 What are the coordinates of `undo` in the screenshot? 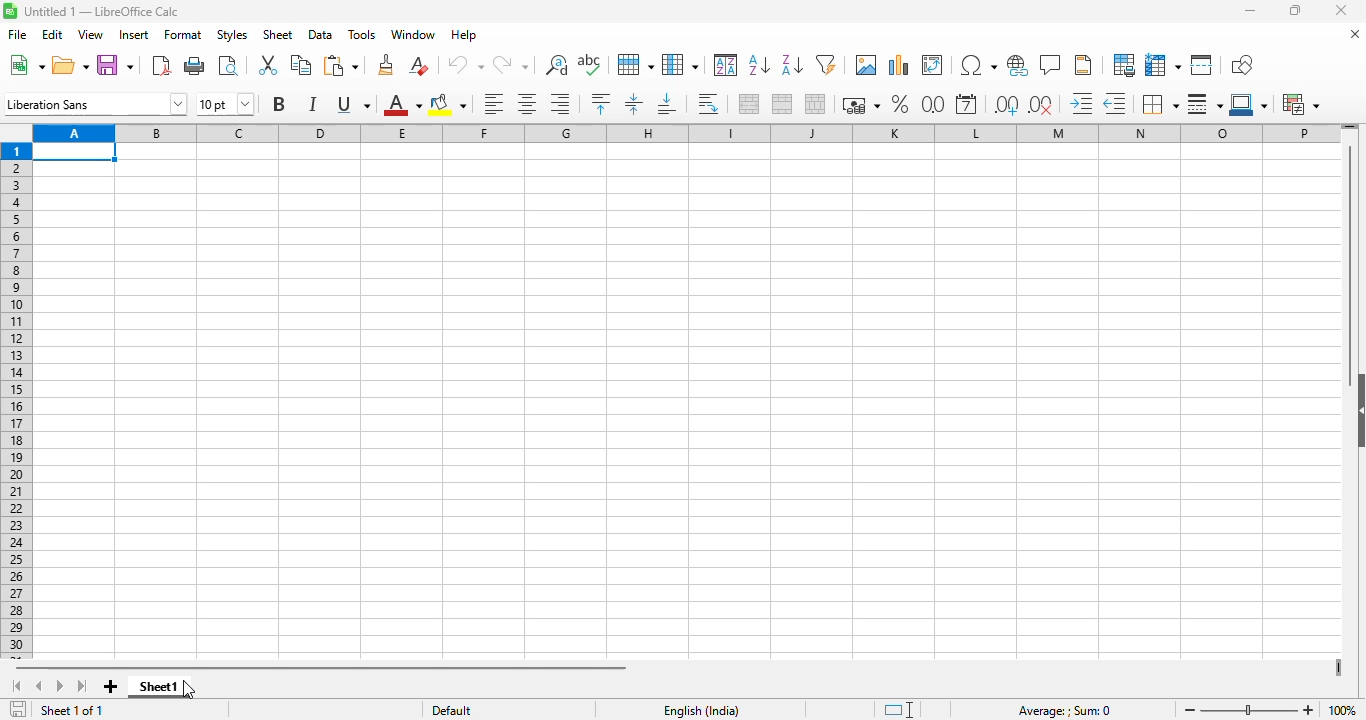 It's located at (465, 65).